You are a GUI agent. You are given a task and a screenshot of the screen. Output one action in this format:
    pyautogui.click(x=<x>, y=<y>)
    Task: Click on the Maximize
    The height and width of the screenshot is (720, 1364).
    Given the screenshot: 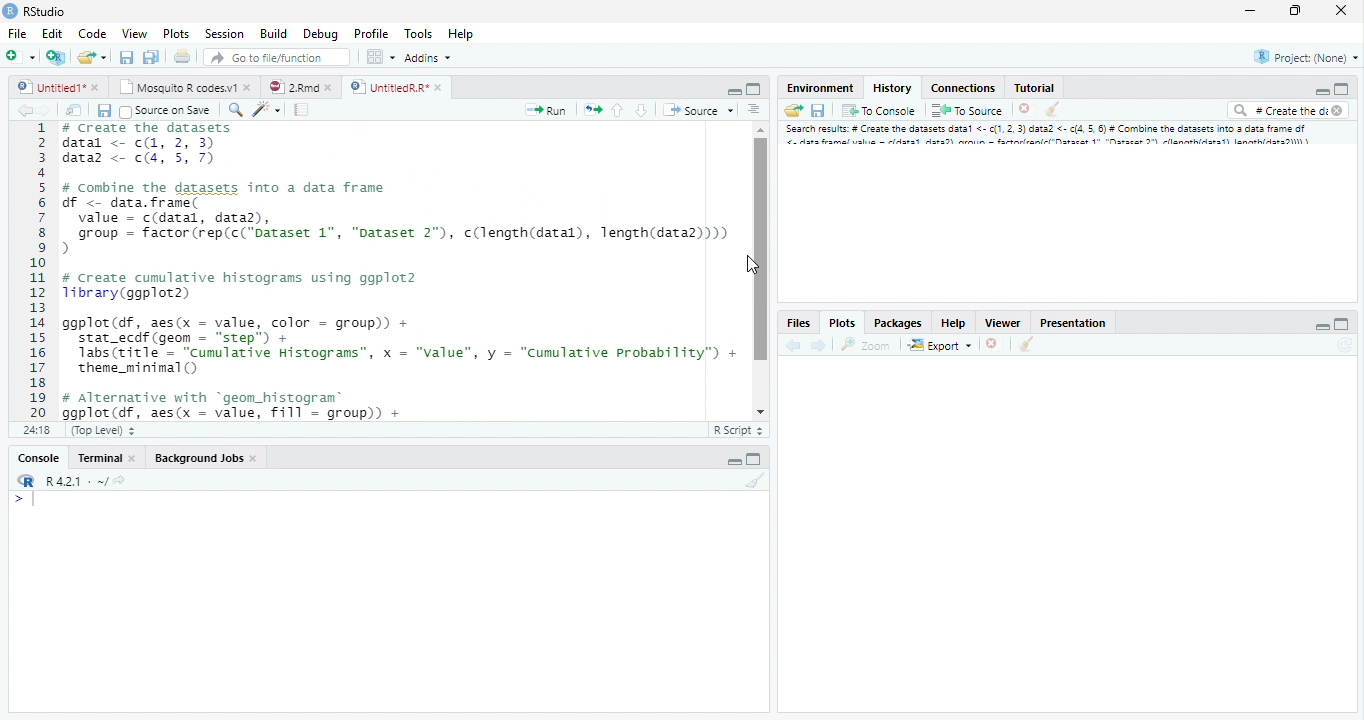 What is the action you would take?
    pyautogui.click(x=754, y=88)
    